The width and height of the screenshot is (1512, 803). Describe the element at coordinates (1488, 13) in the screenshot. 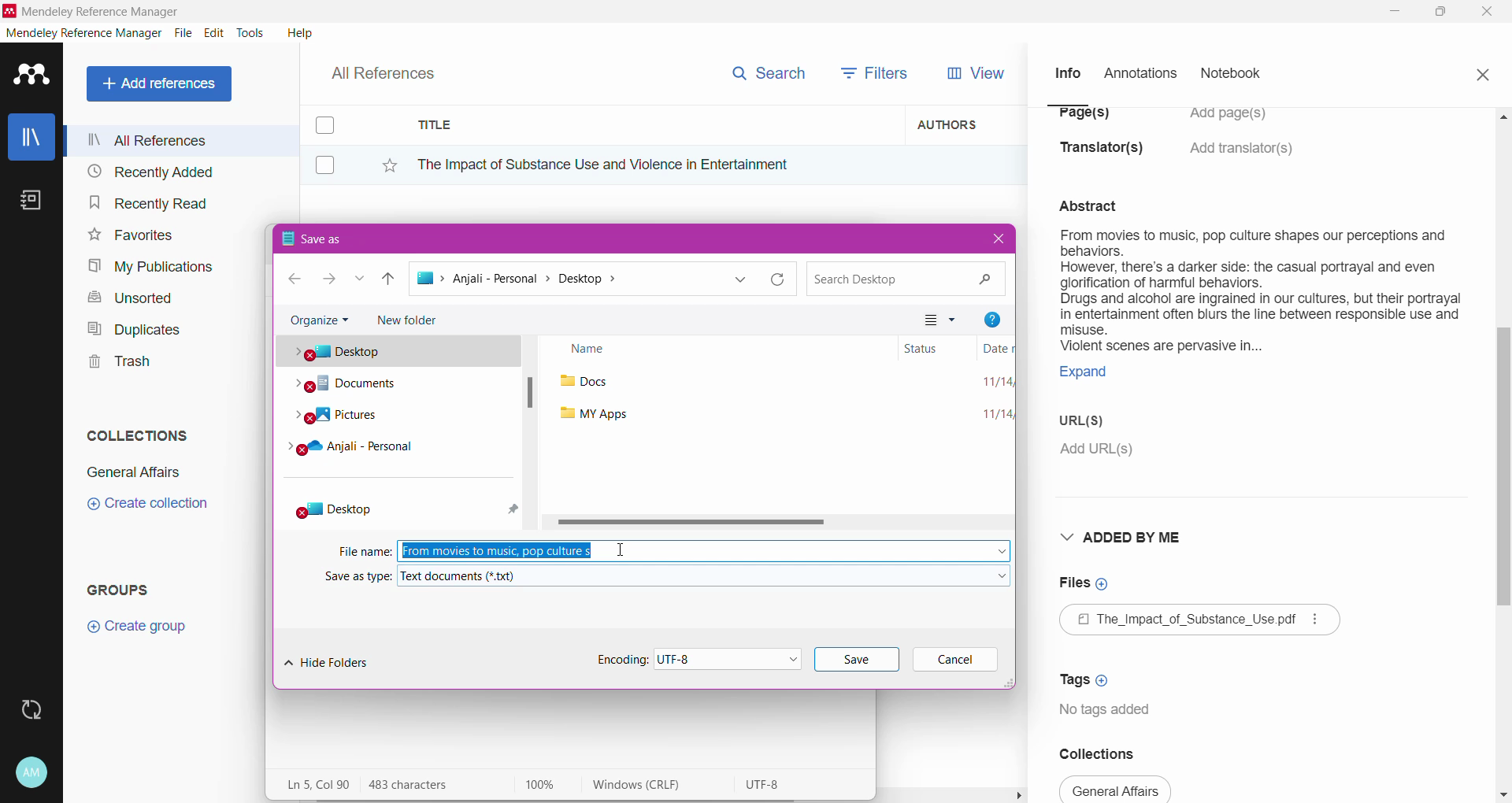

I see `Close` at that location.